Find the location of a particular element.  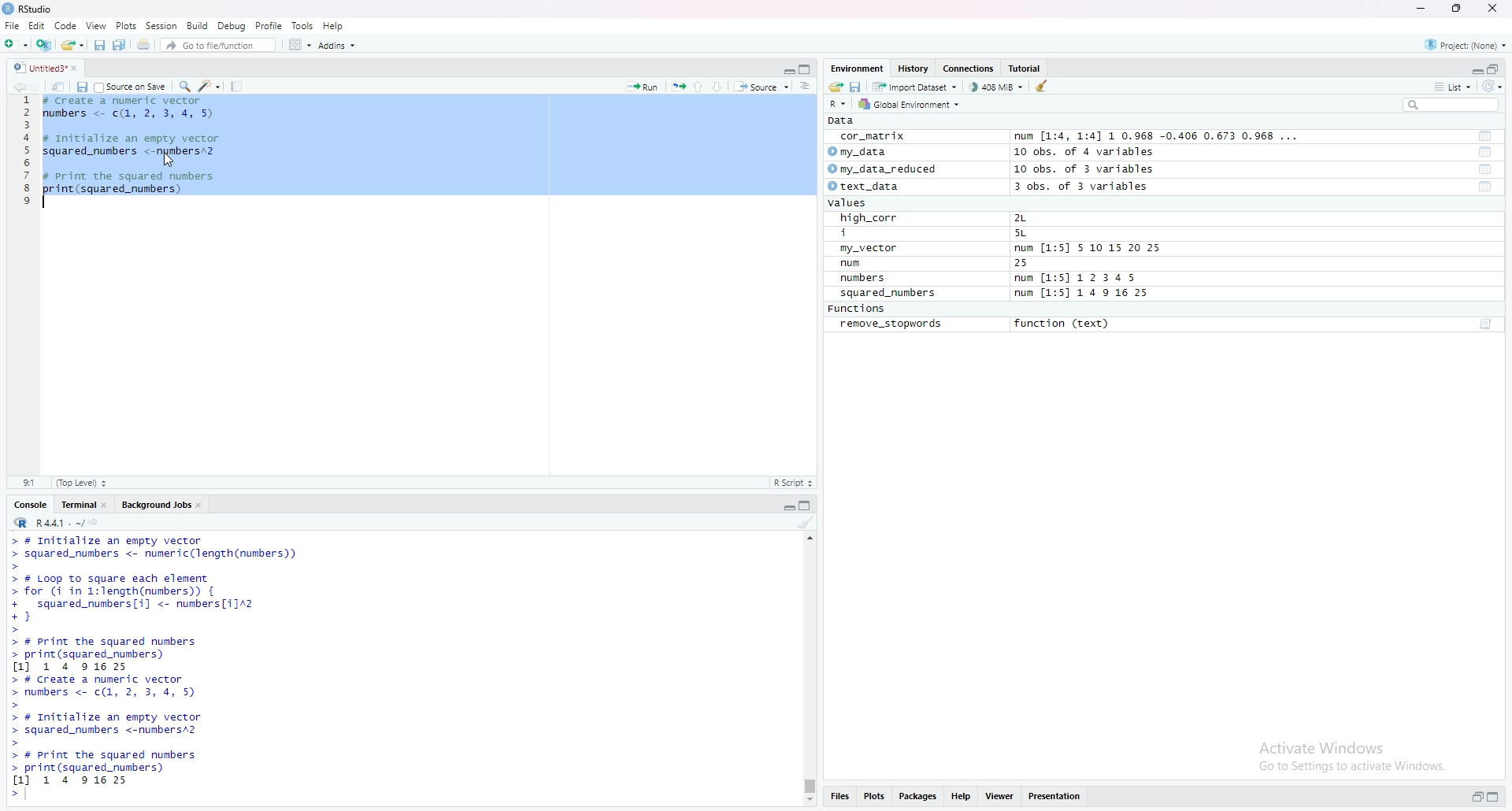

verical scrollbar is located at coordinates (808, 786).